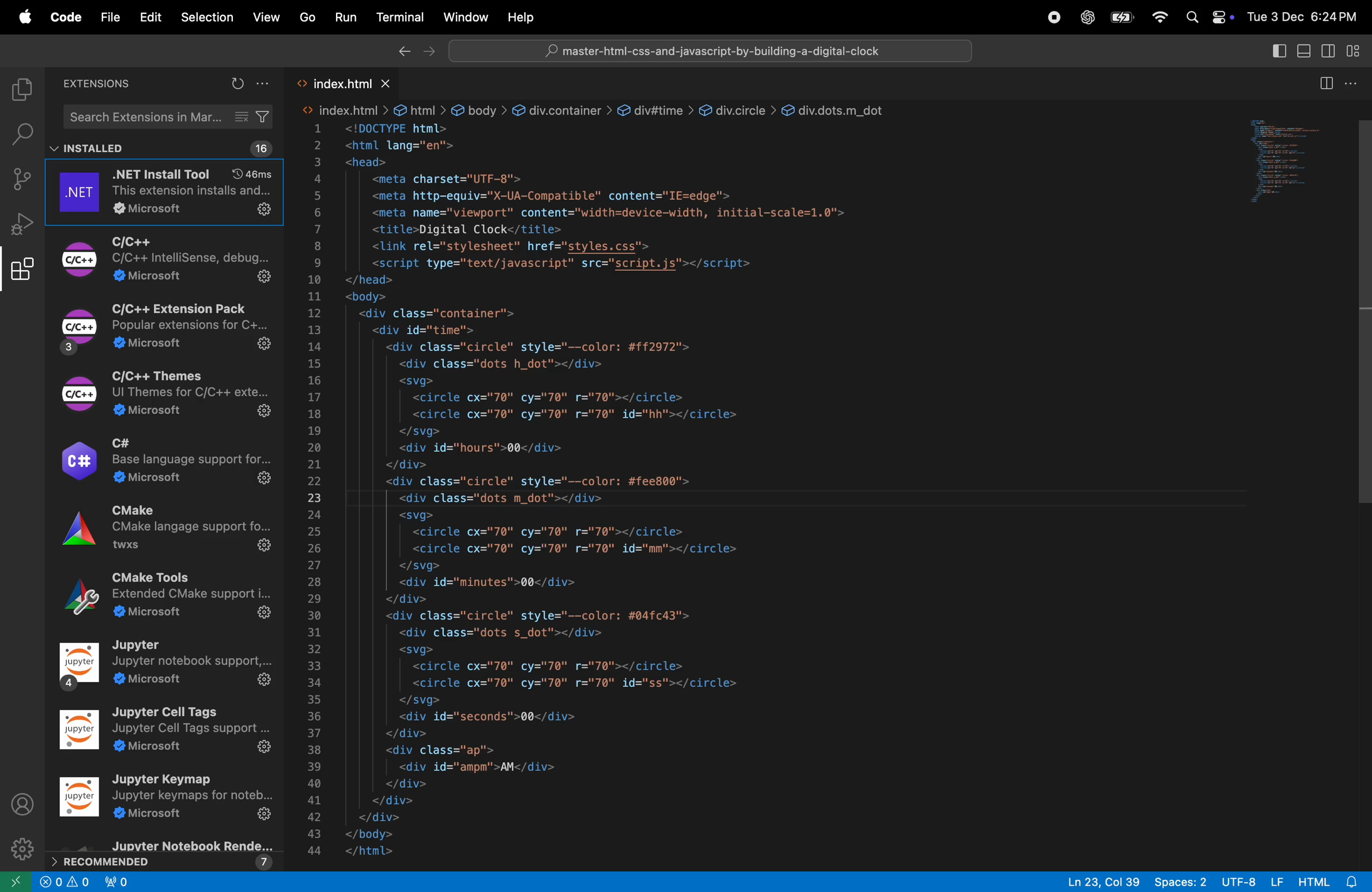 This screenshot has width=1372, height=892. I want to click on terminal, so click(401, 16).